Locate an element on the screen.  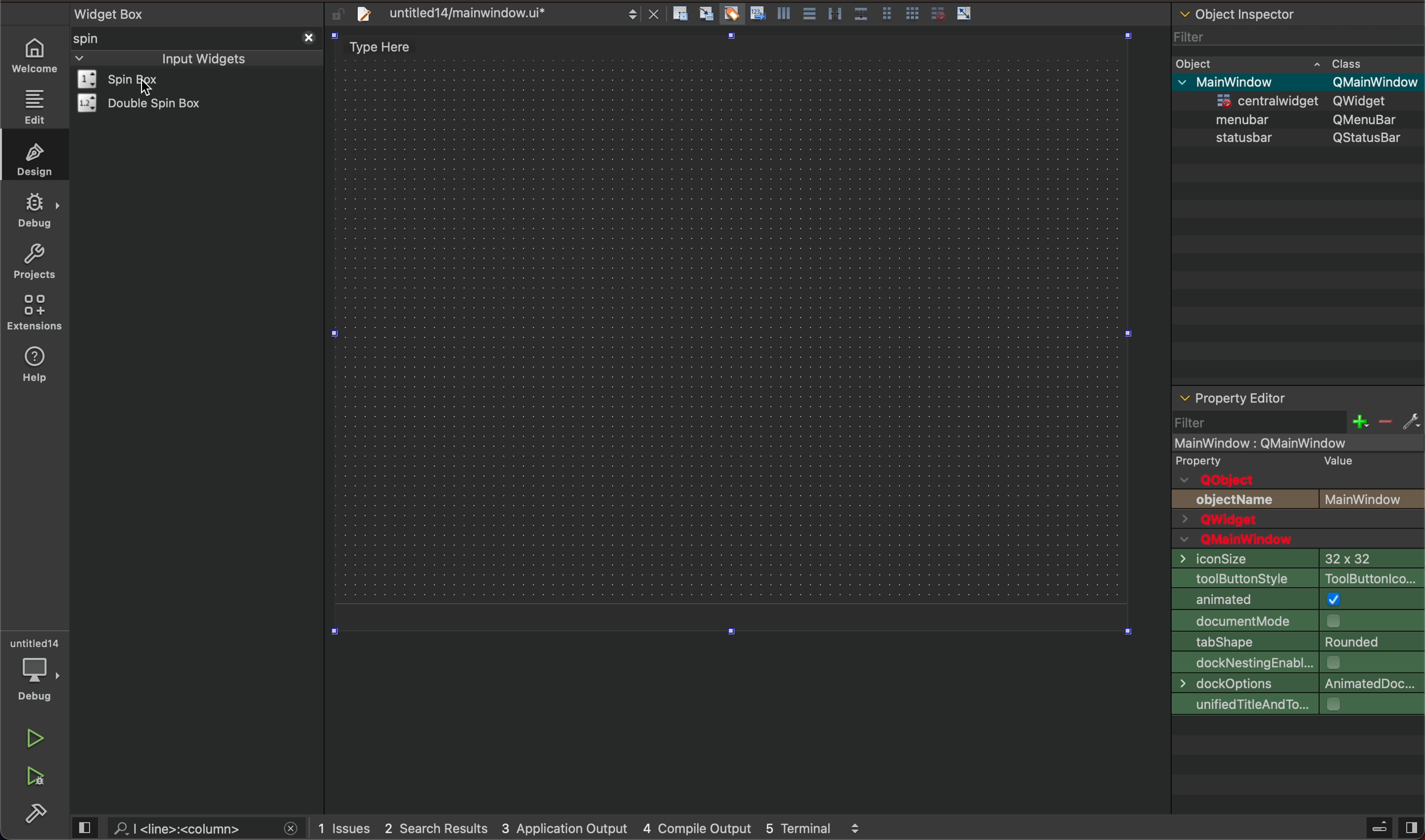
projects is located at coordinates (33, 261).